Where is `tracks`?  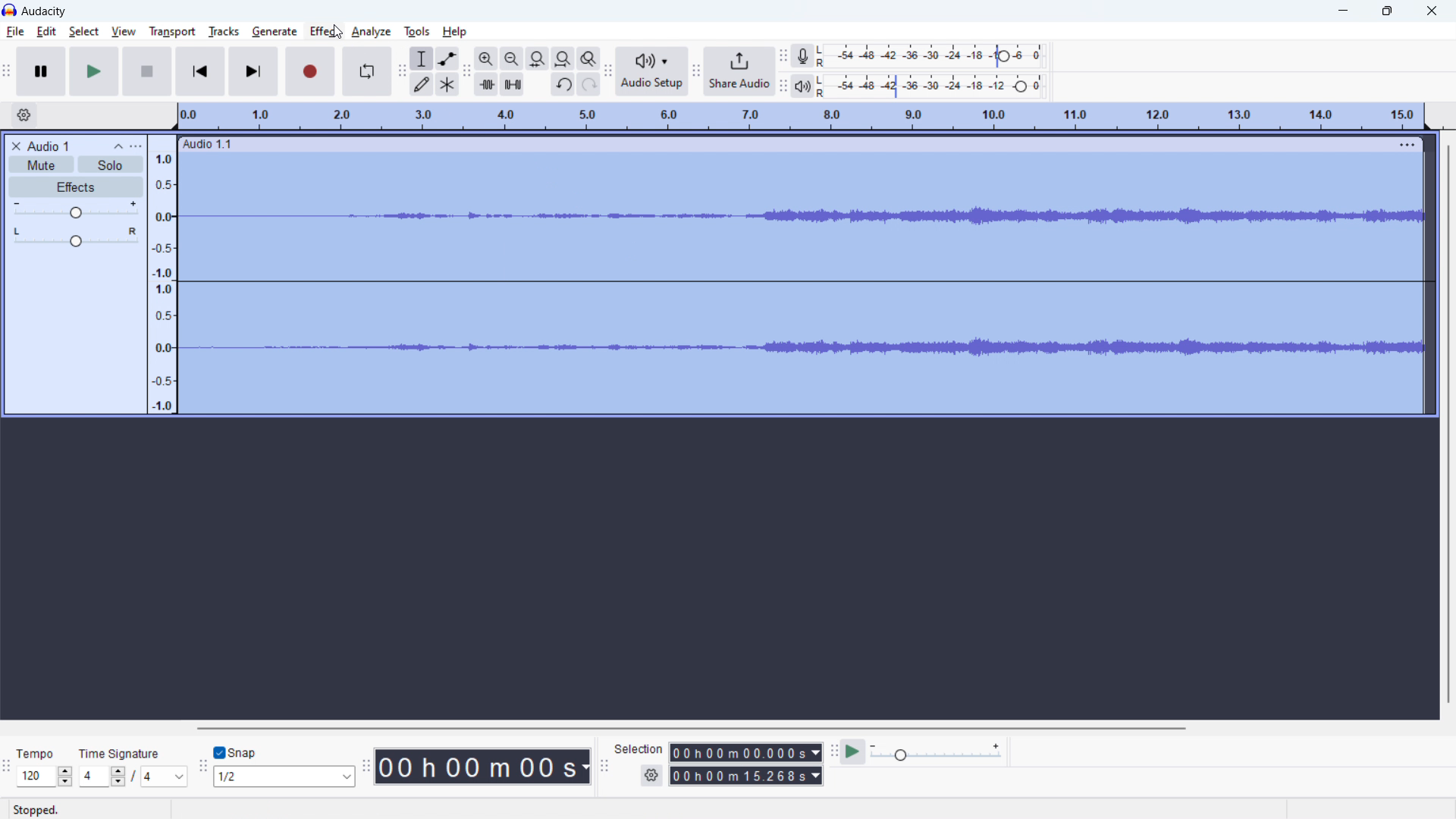 tracks is located at coordinates (224, 32).